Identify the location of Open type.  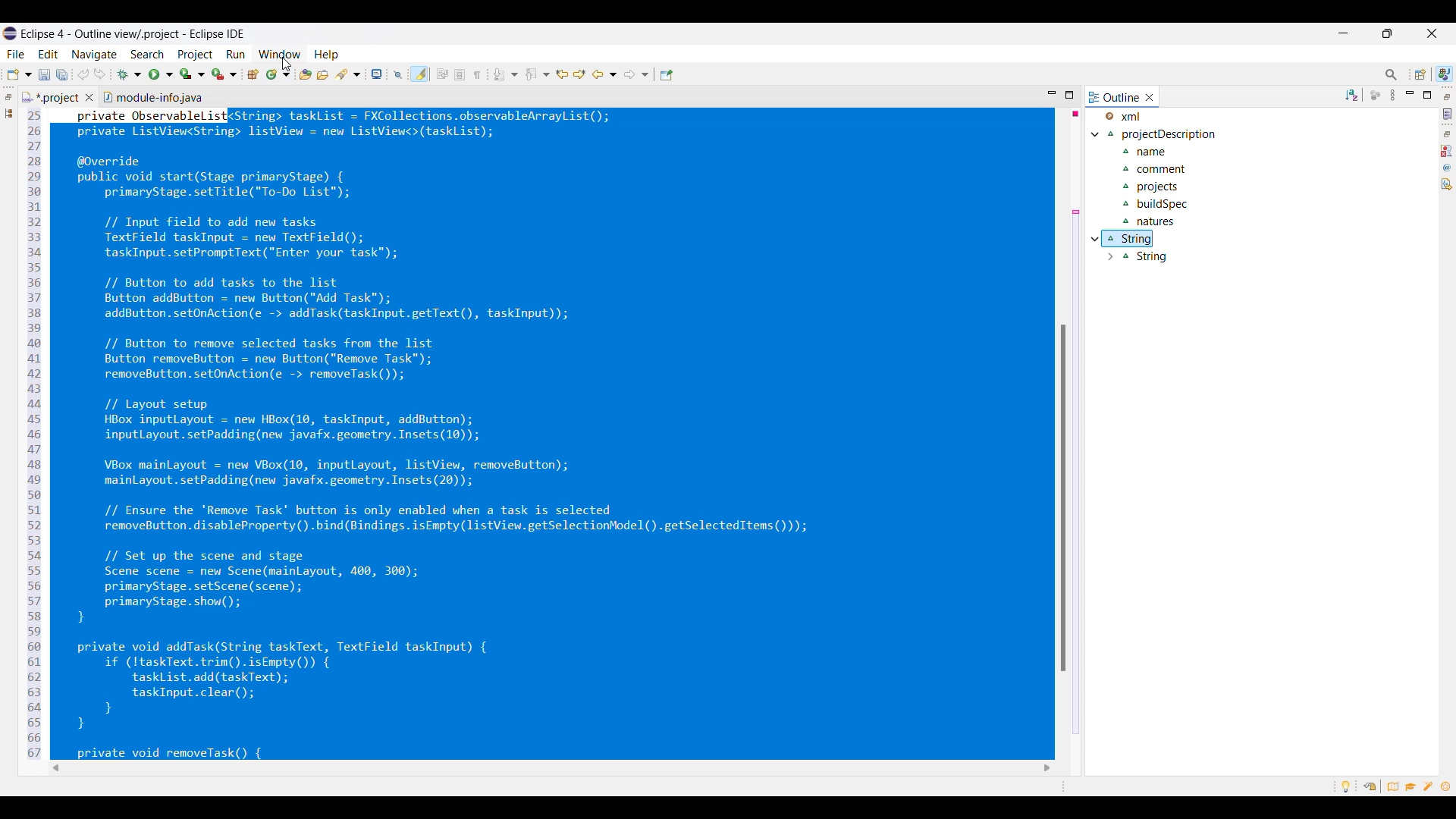
(306, 74).